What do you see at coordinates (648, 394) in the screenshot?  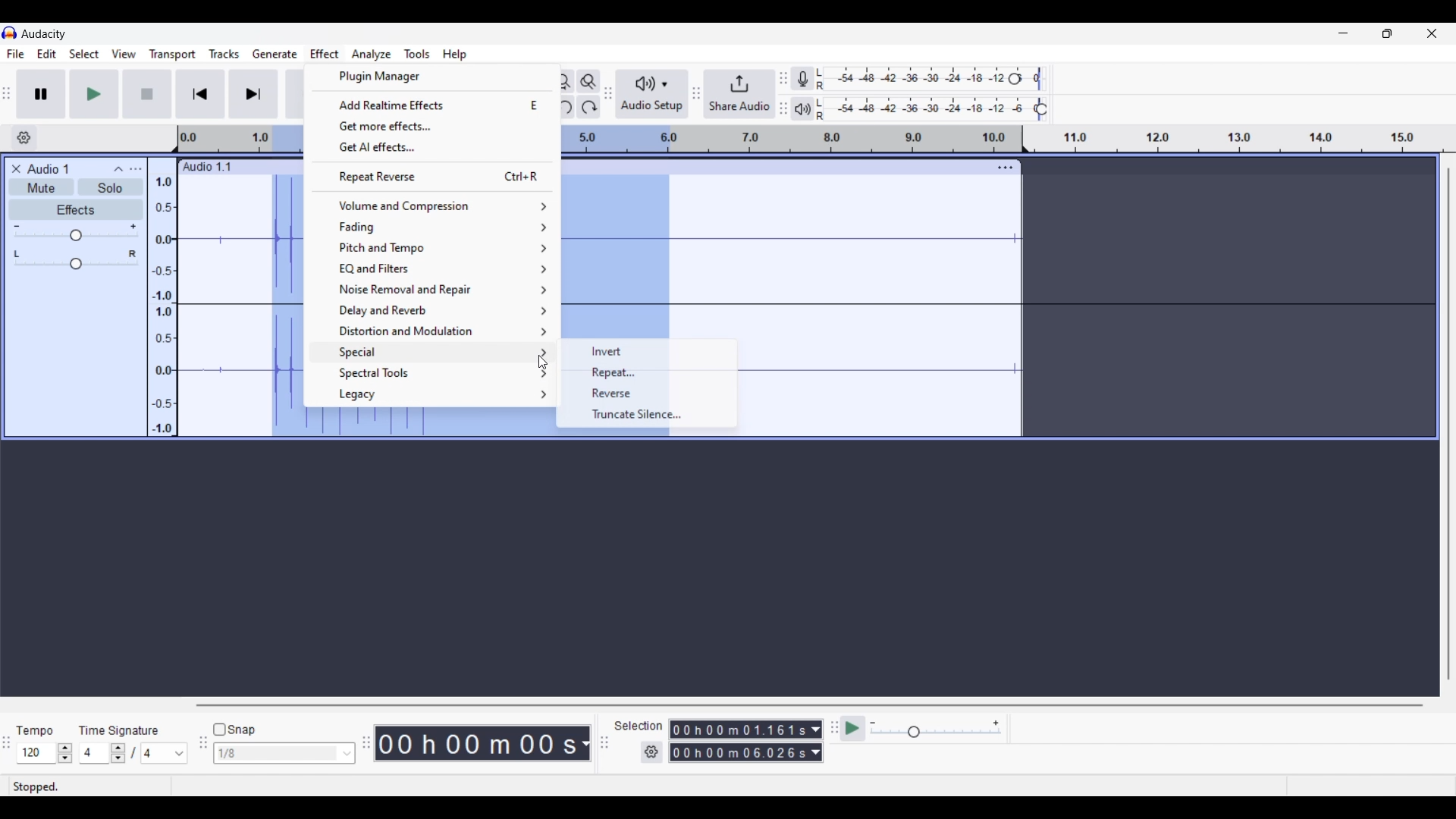 I see `Reverse ` at bounding box center [648, 394].